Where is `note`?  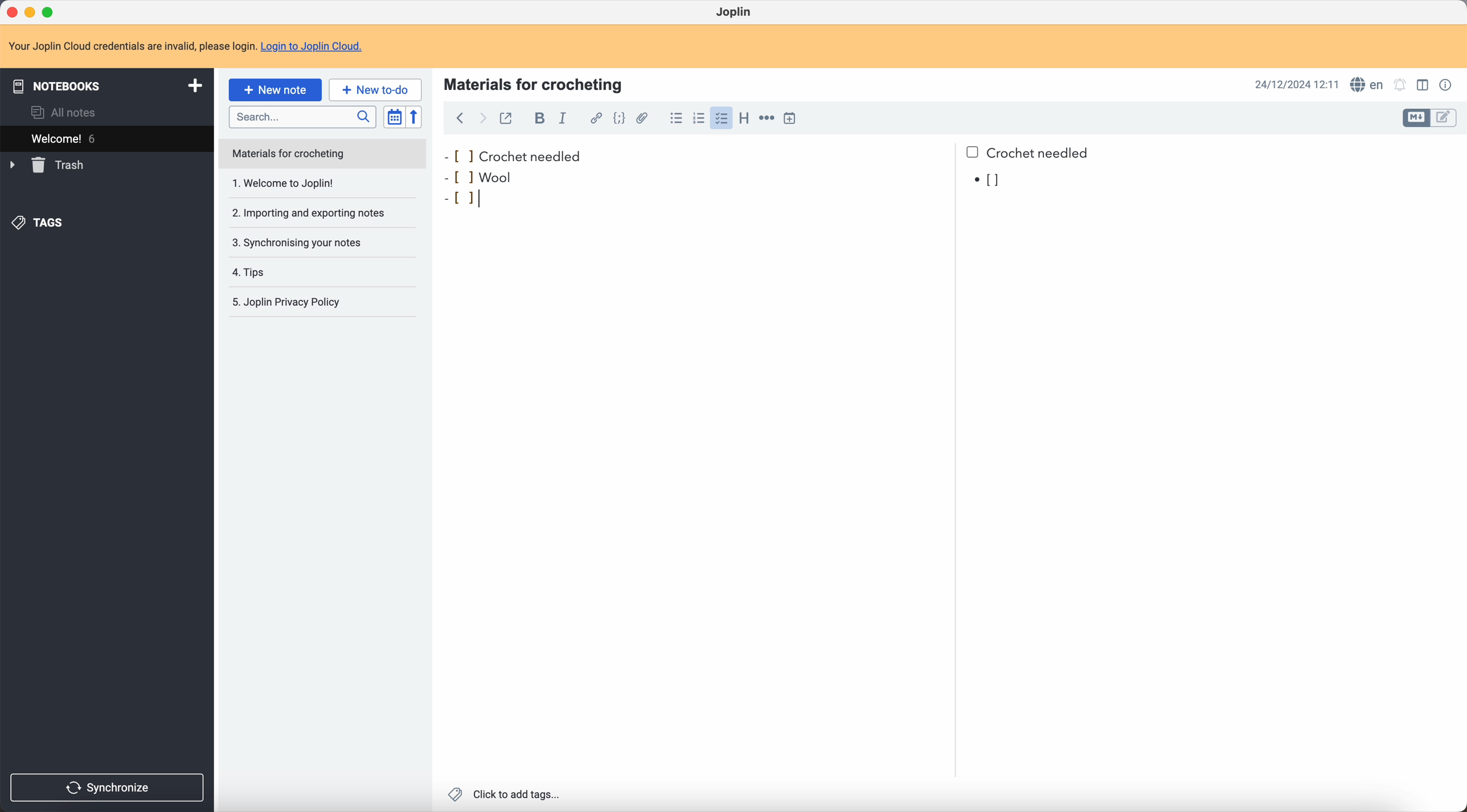
note is located at coordinates (323, 154).